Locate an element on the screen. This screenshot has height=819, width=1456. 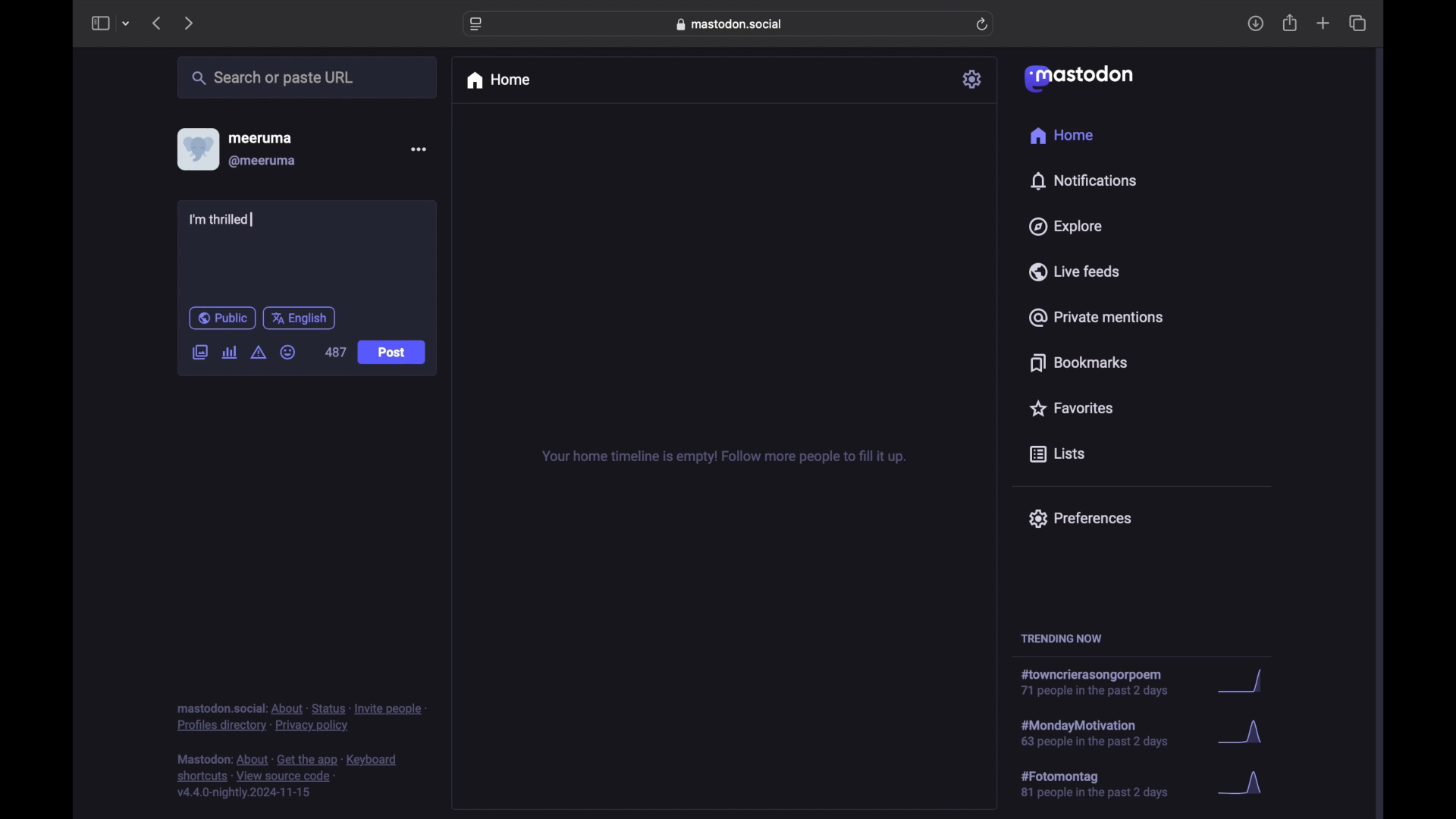
next is located at coordinates (188, 24).